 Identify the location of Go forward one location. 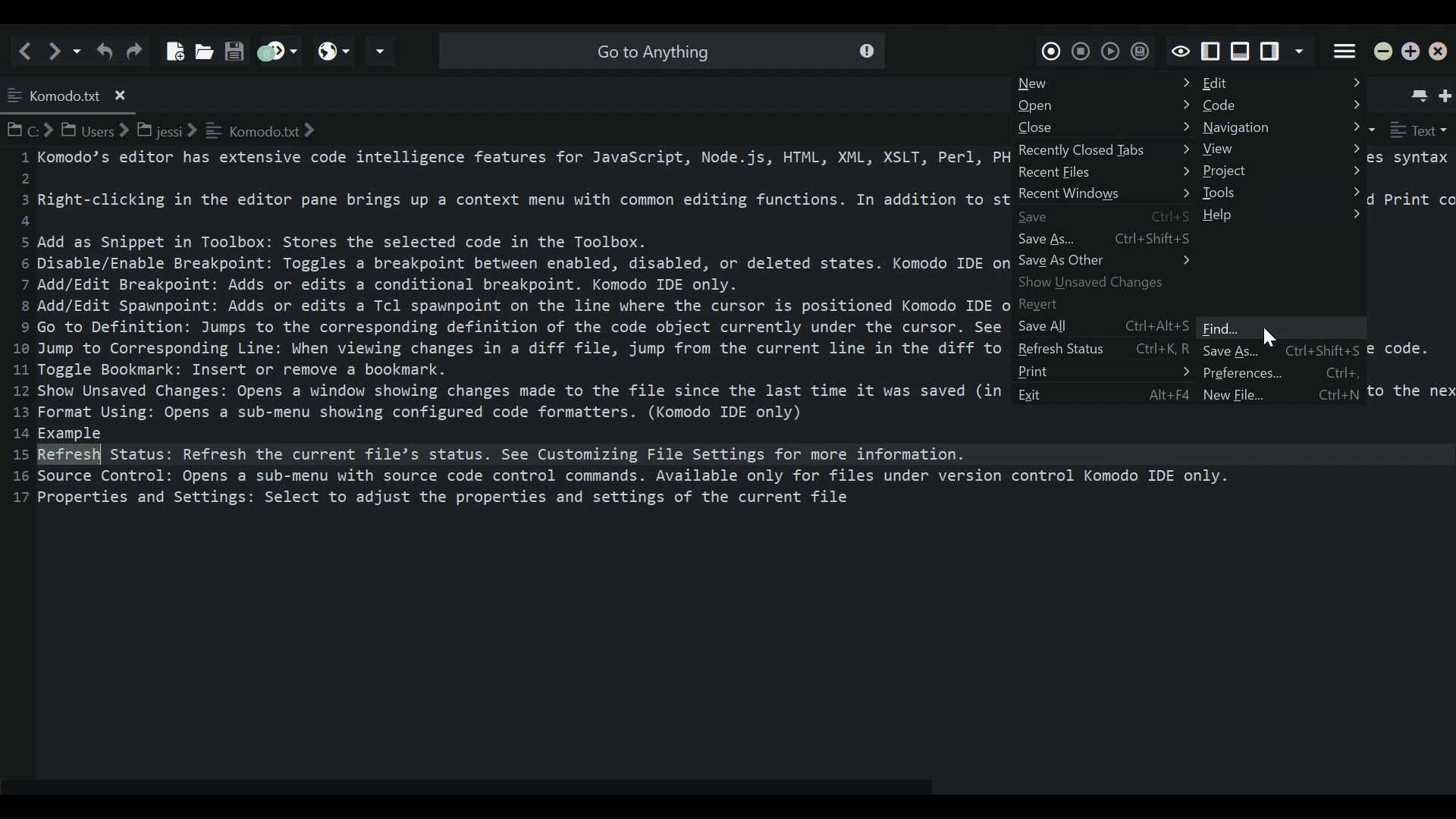
(57, 50).